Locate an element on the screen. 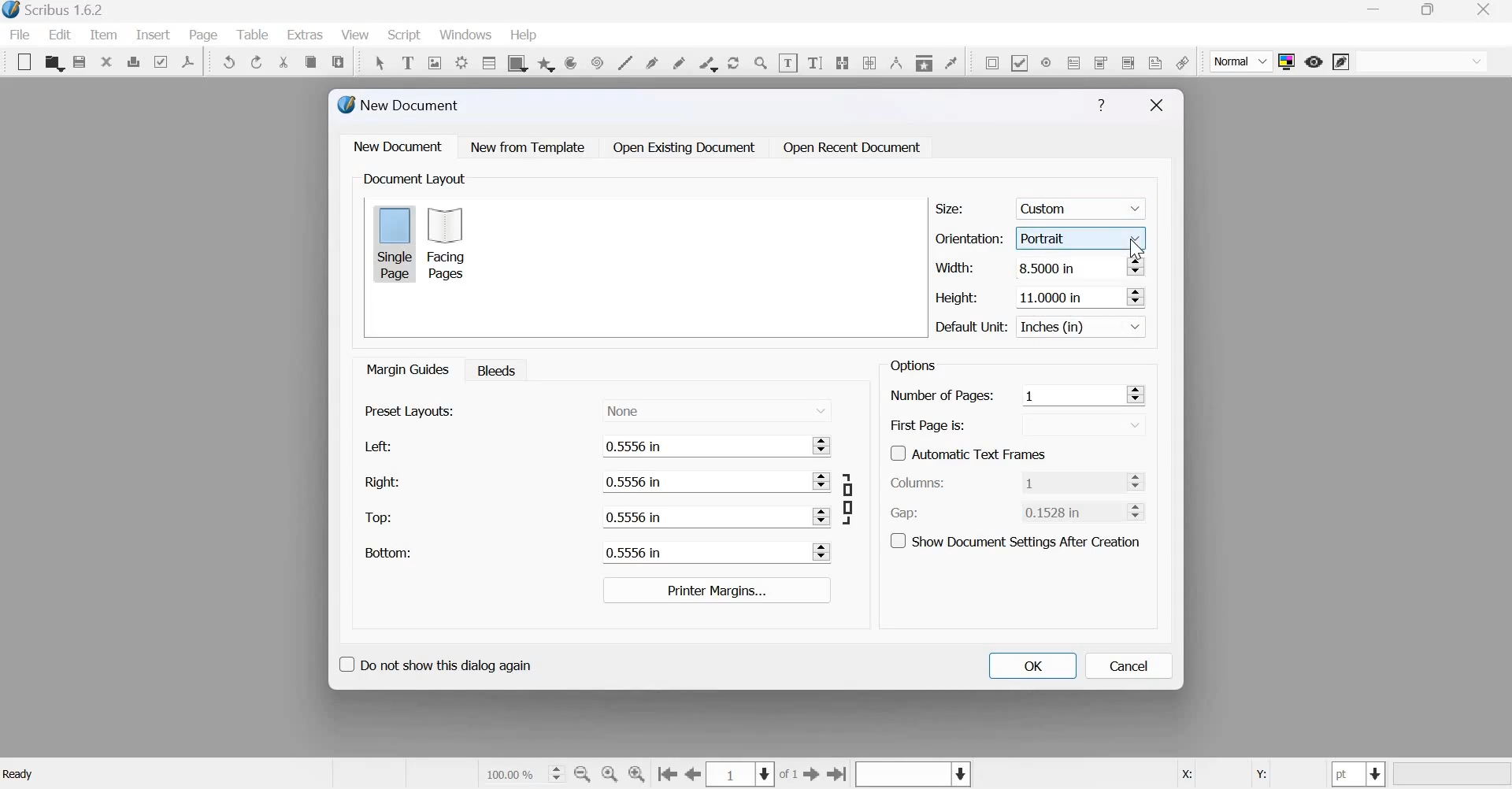 Image resolution: width=1512 pixels, height=789 pixels. 0.1528 in is located at coordinates (1064, 512).